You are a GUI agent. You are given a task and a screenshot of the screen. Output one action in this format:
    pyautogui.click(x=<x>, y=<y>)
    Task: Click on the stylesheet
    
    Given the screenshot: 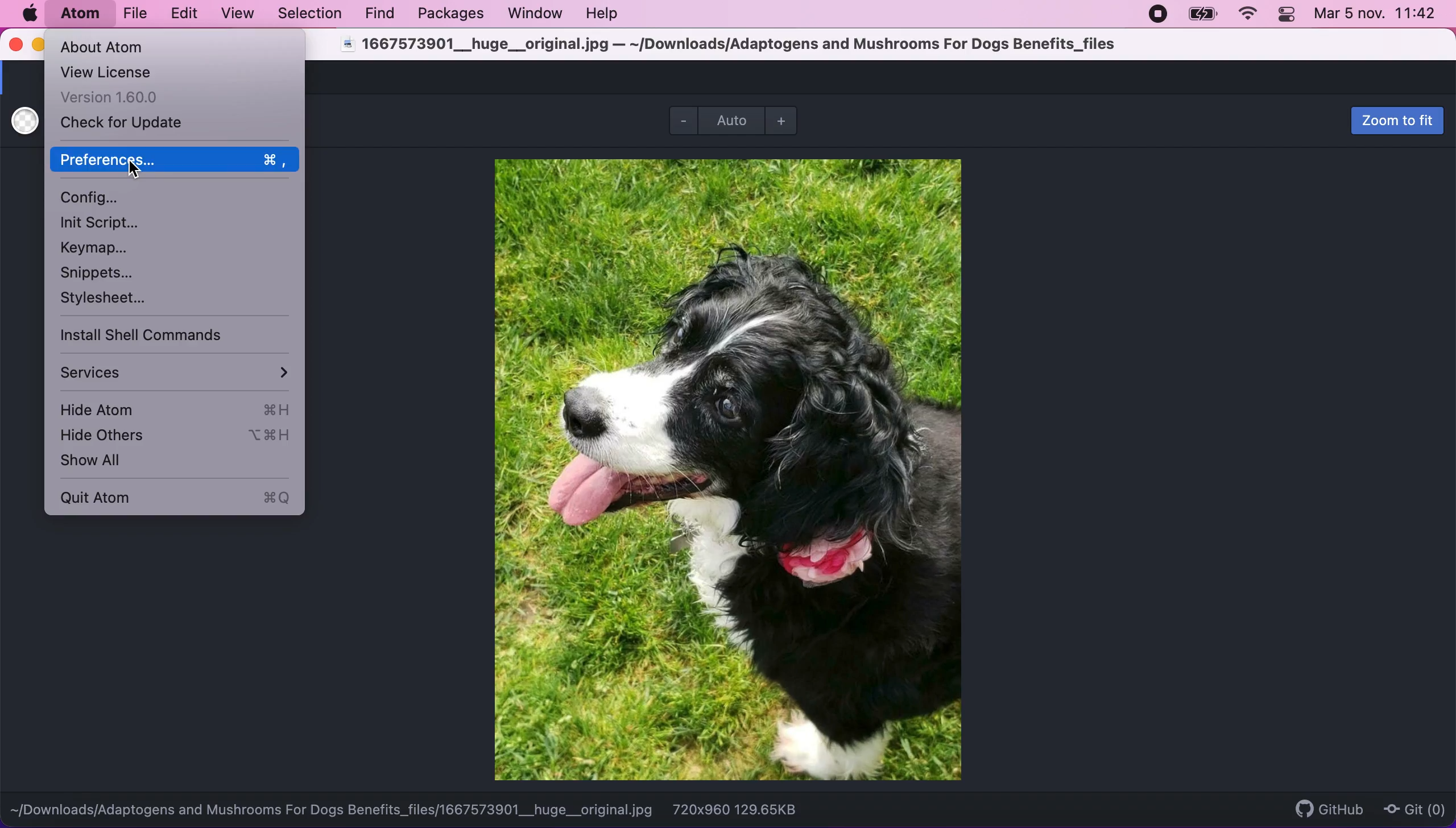 What is the action you would take?
    pyautogui.click(x=105, y=297)
    